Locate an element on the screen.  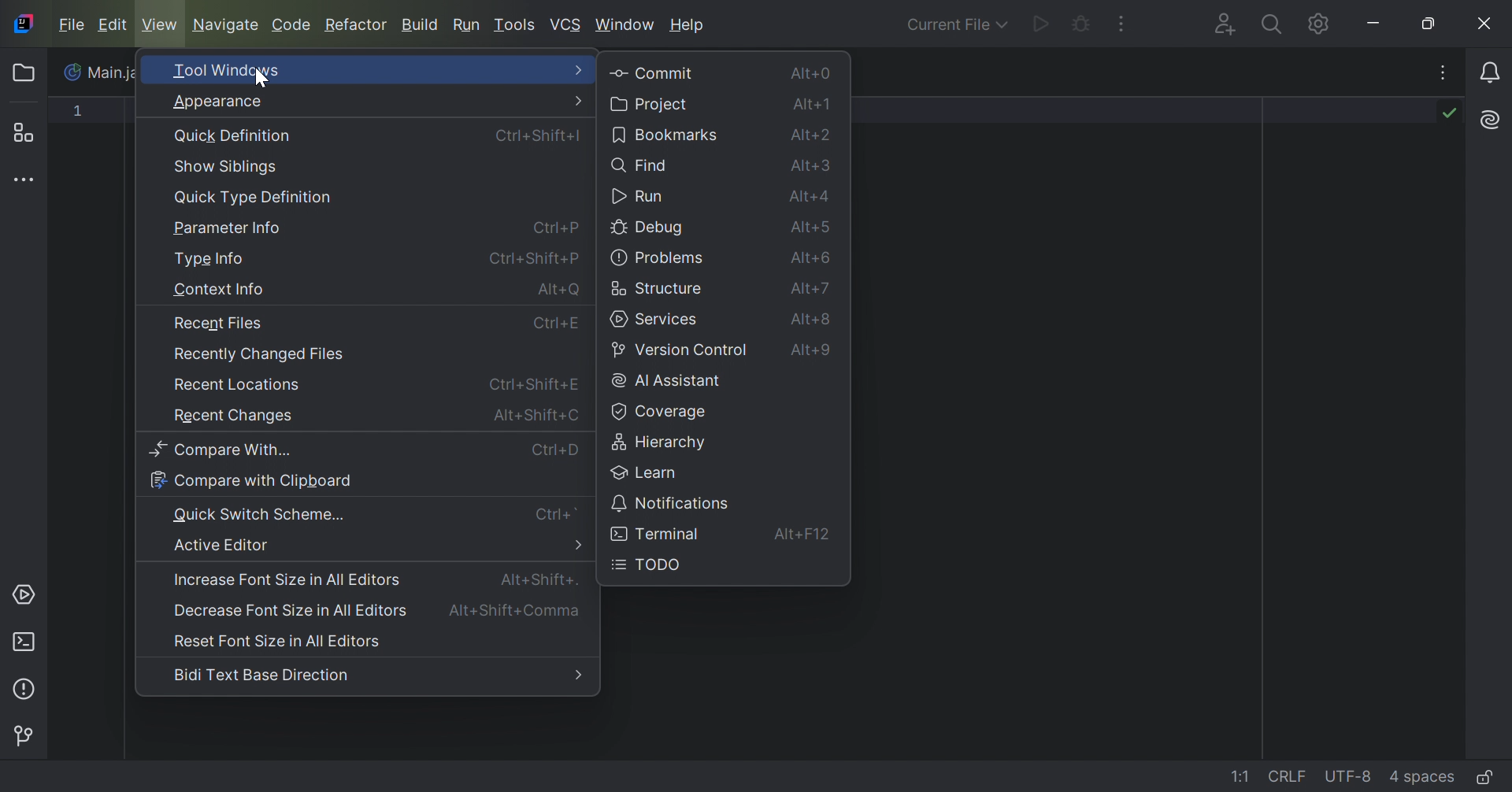
More is located at coordinates (582, 69).